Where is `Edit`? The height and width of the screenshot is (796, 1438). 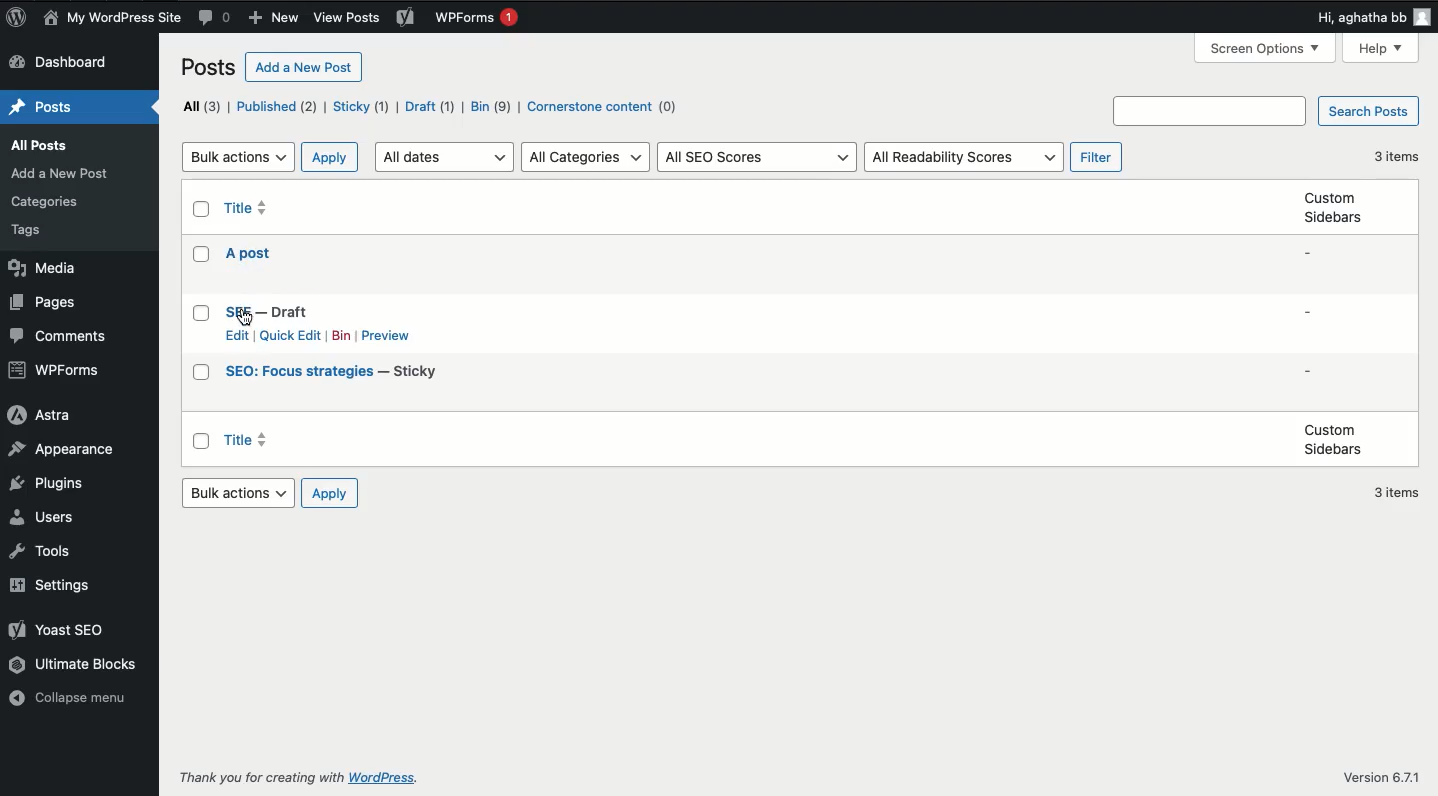
Edit is located at coordinates (234, 335).